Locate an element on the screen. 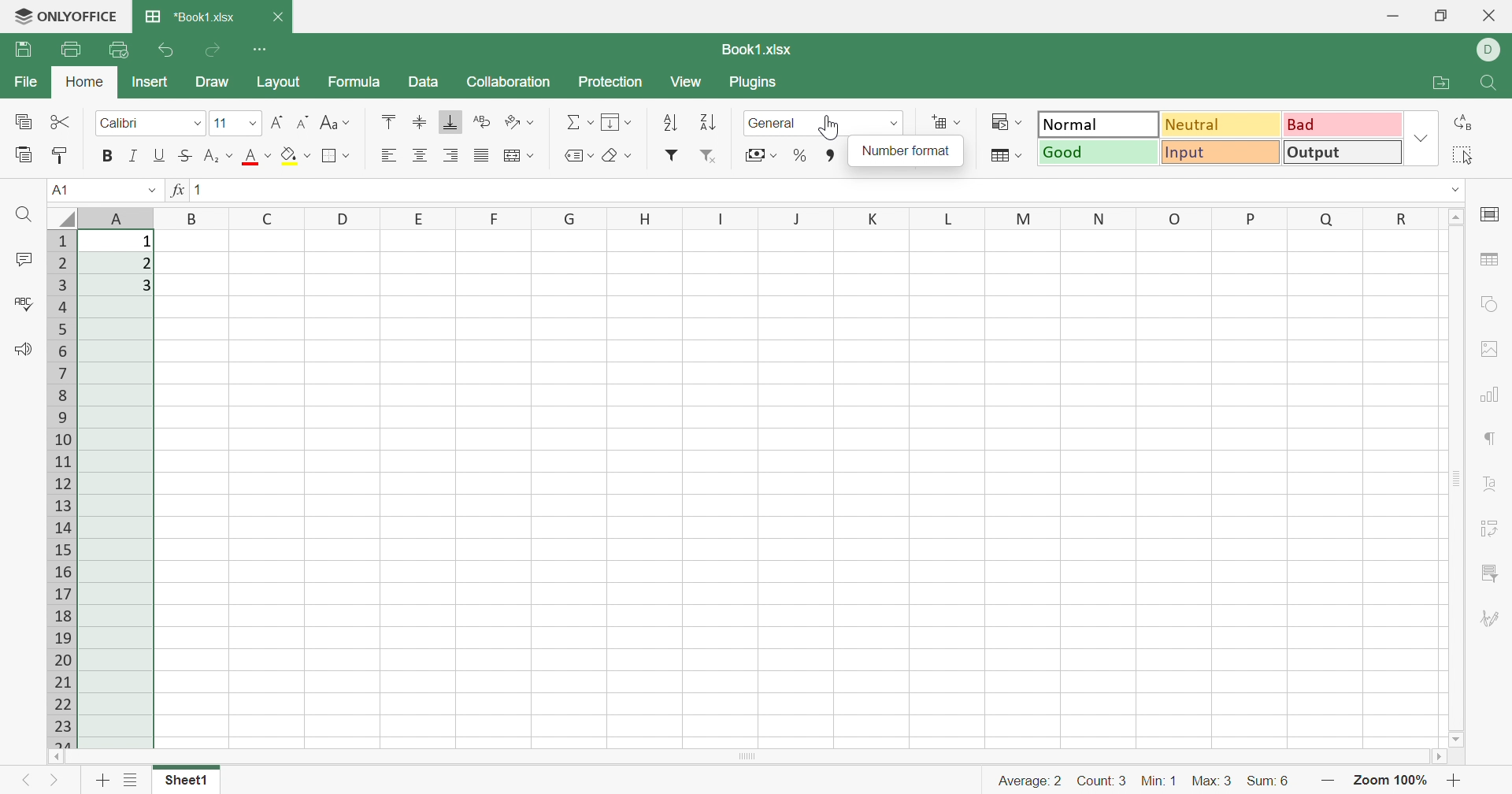  Formula is located at coordinates (352, 83).